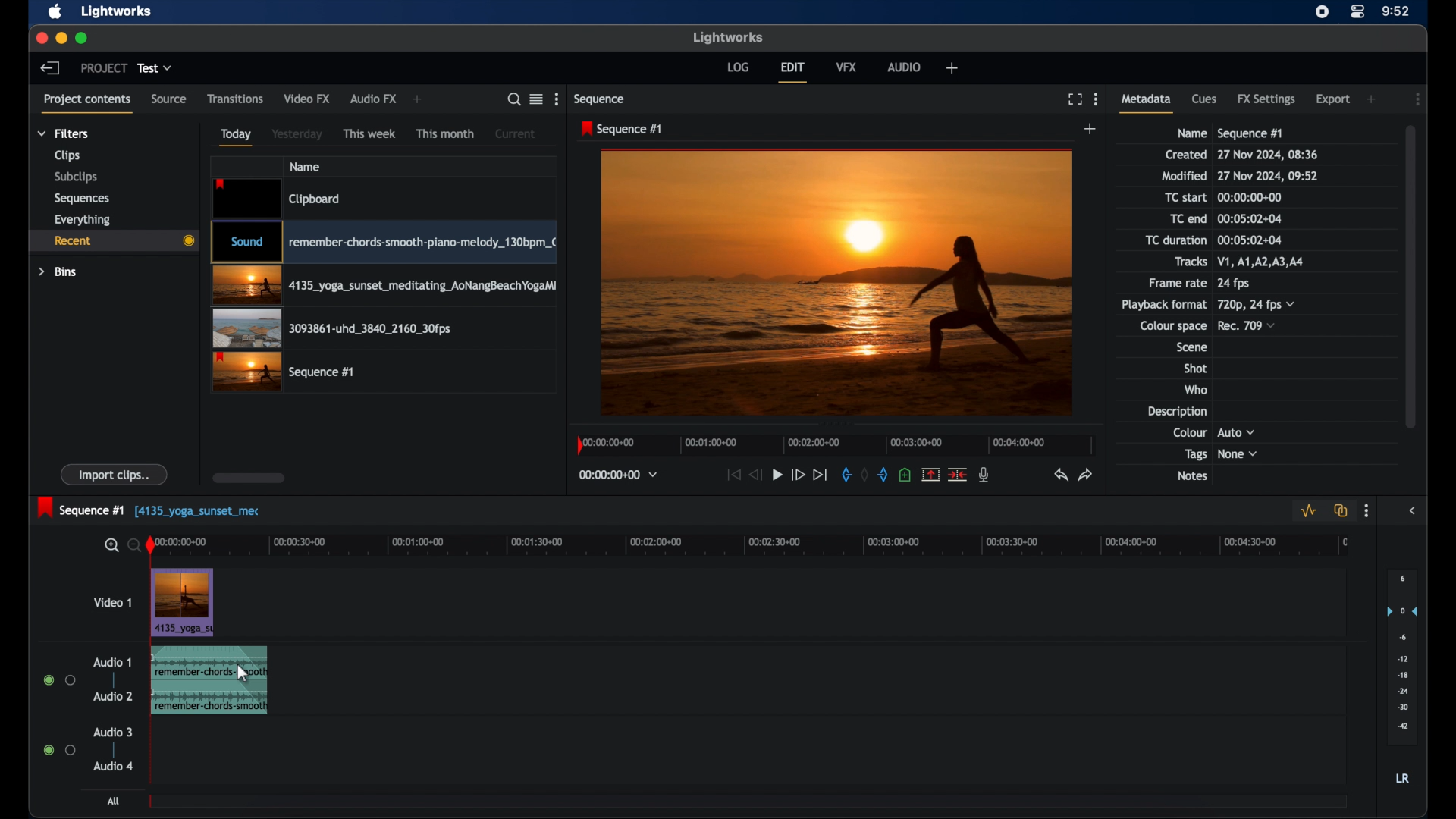  I want to click on set audio output levels, so click(1401, 657).